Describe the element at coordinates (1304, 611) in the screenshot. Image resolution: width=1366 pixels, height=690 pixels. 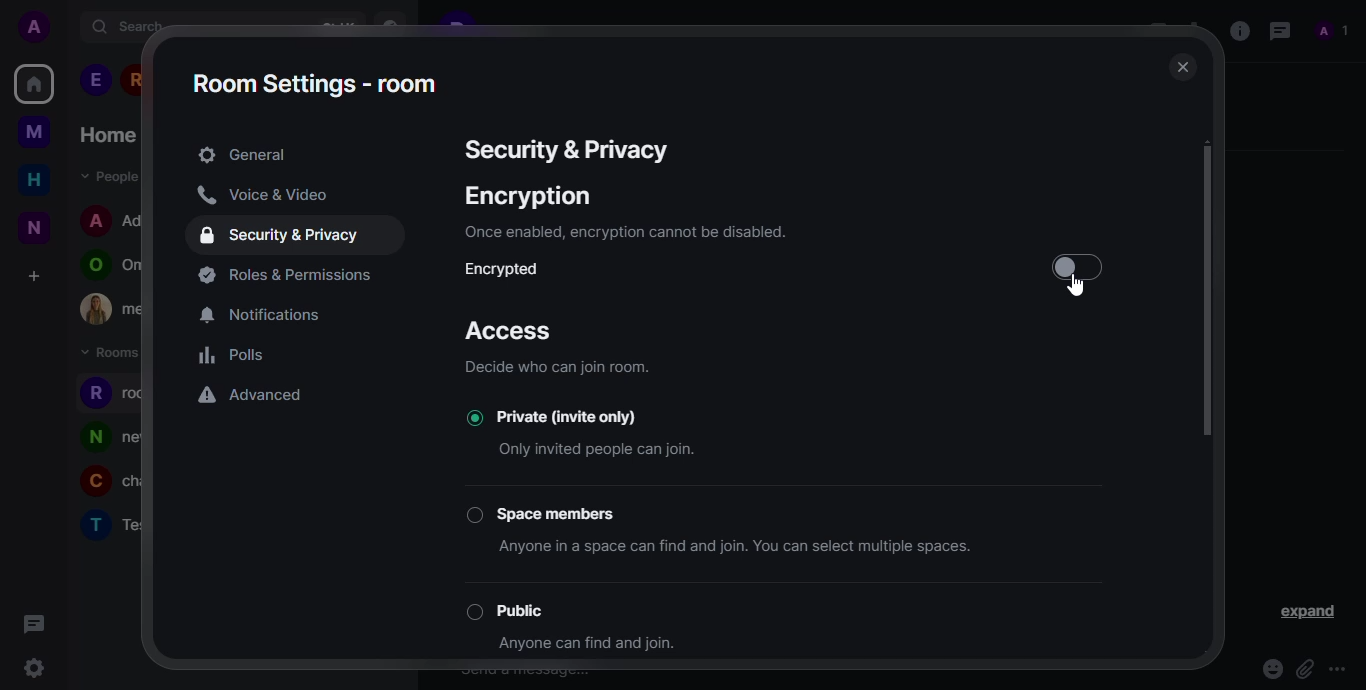
I see `expand` at that location.